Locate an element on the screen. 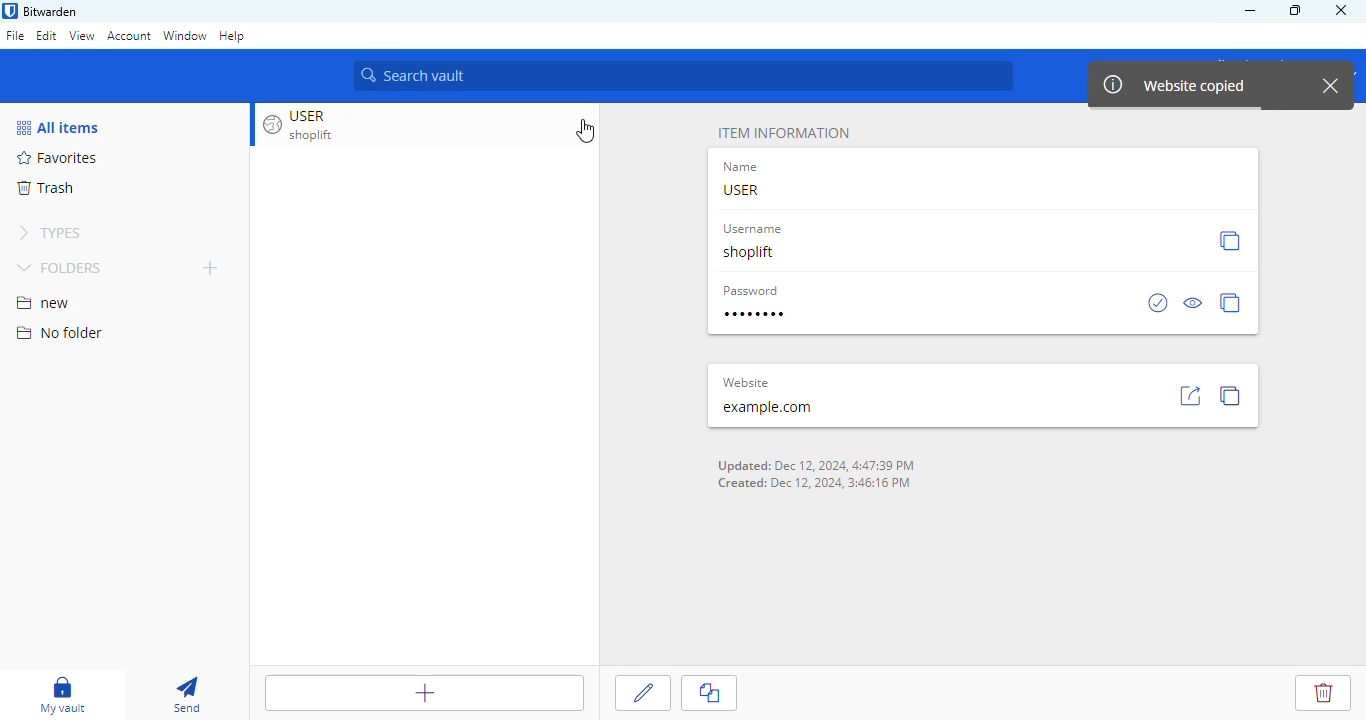 The height and width of the screenshot is (720, 1366). edit is located at coordinates (47, 35).